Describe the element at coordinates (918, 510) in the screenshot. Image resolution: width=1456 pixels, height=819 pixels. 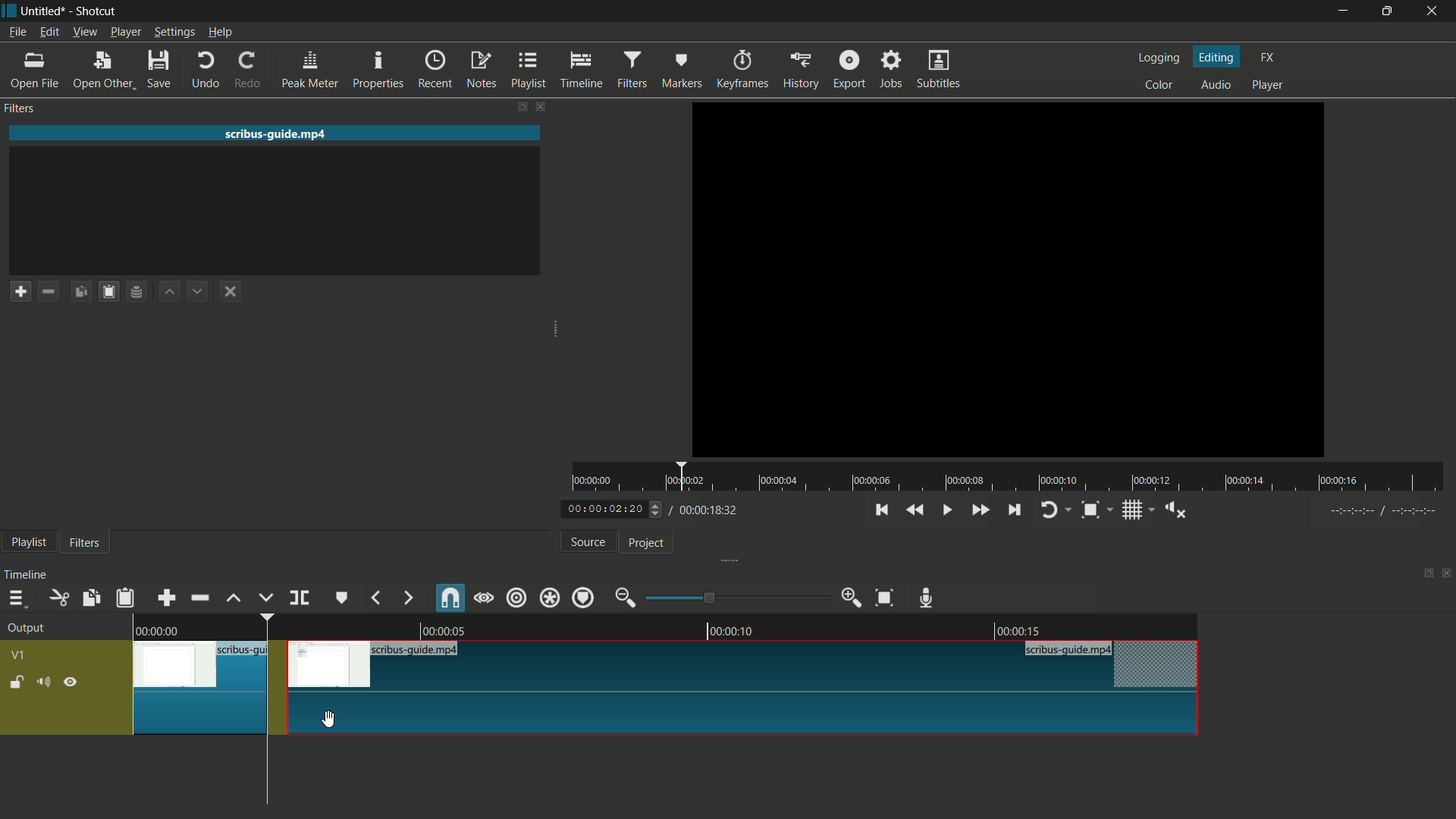
I see `quickly play backward` at that location.